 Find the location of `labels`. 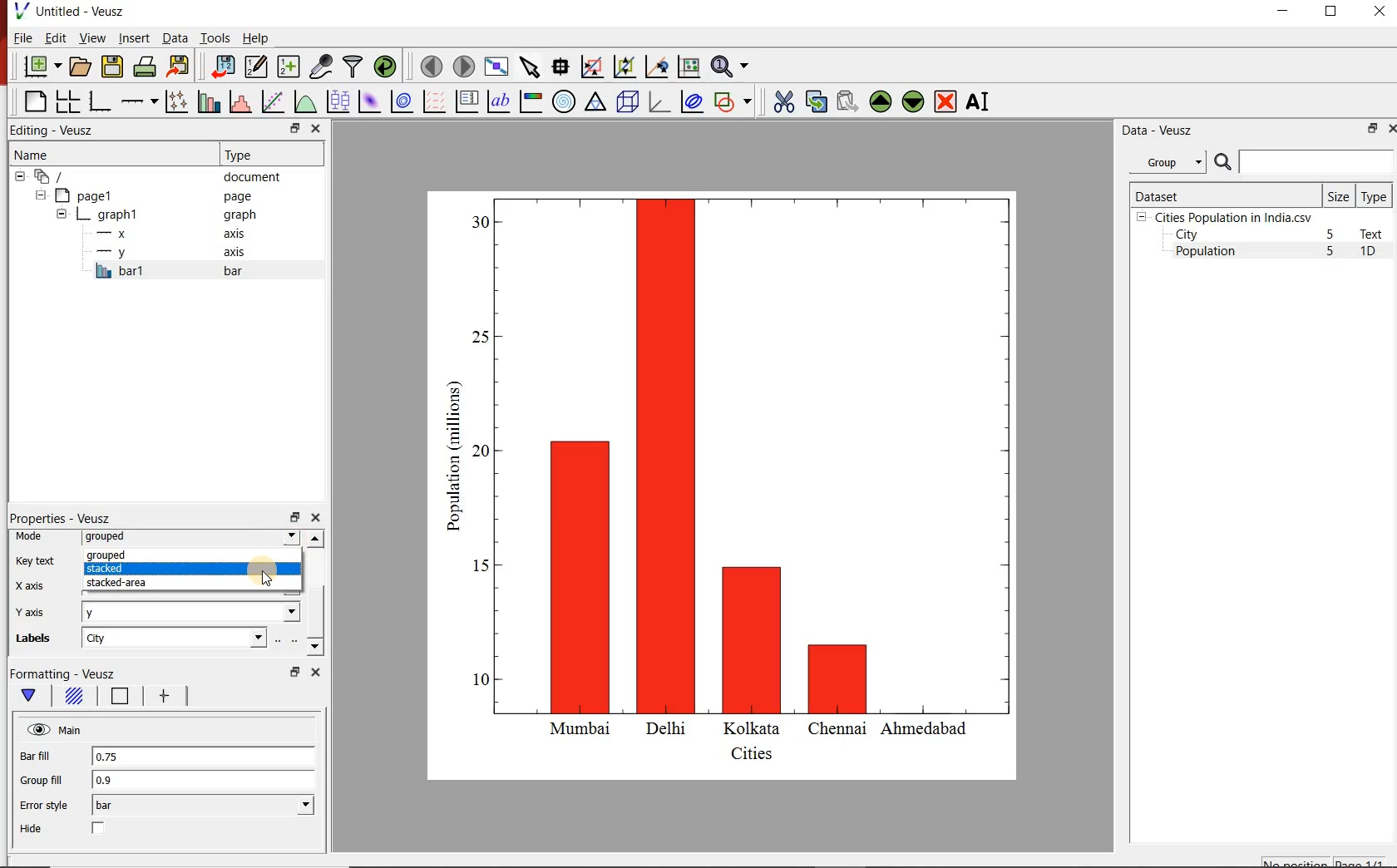

labels is located at coordinates (38, 641).